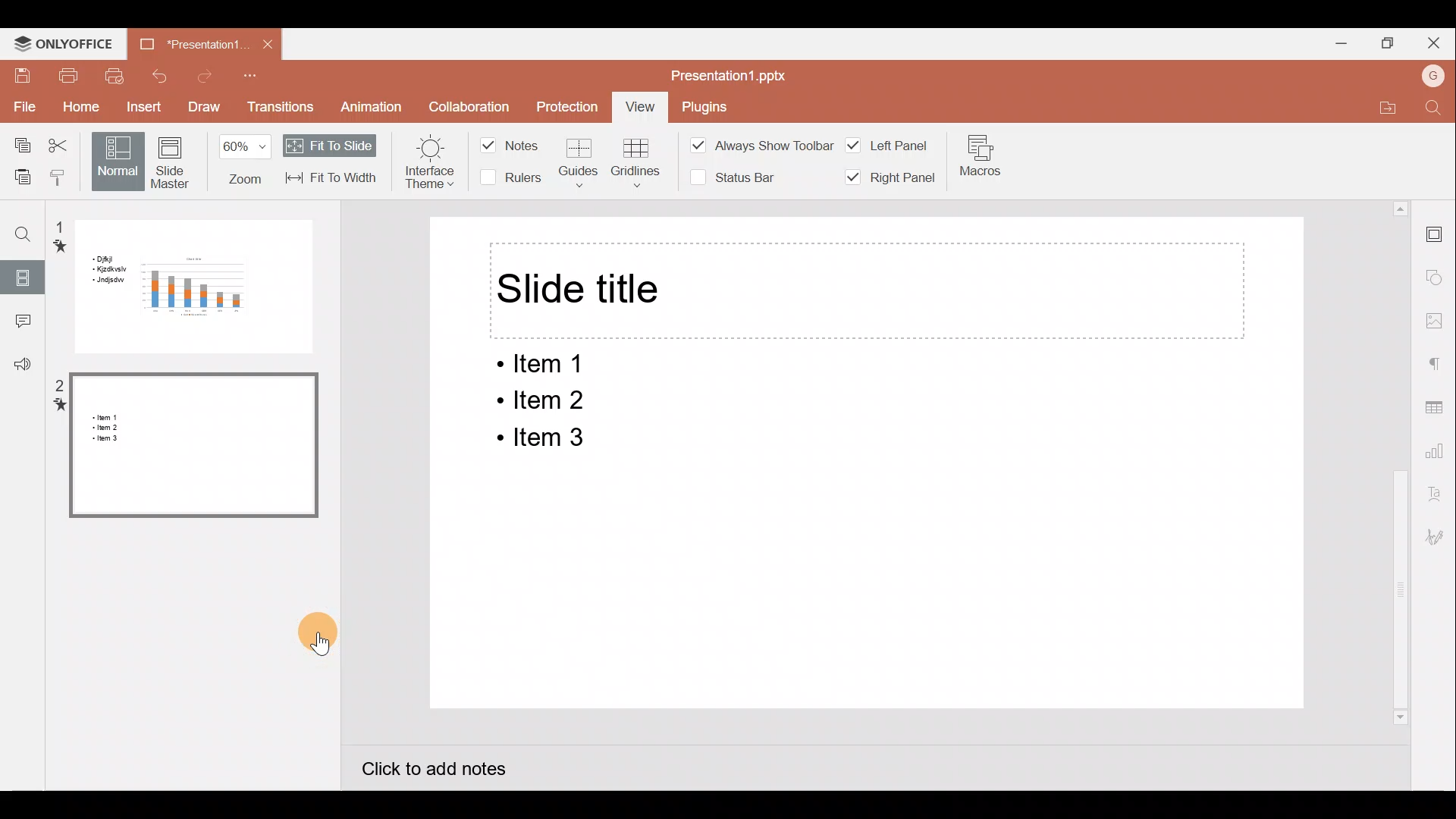 The height and width of the screenshot is (819, 1456). What do you see at coordinates (896, 183) in the screenshot?
I see `Right panel` at bounding box center [896, 183].